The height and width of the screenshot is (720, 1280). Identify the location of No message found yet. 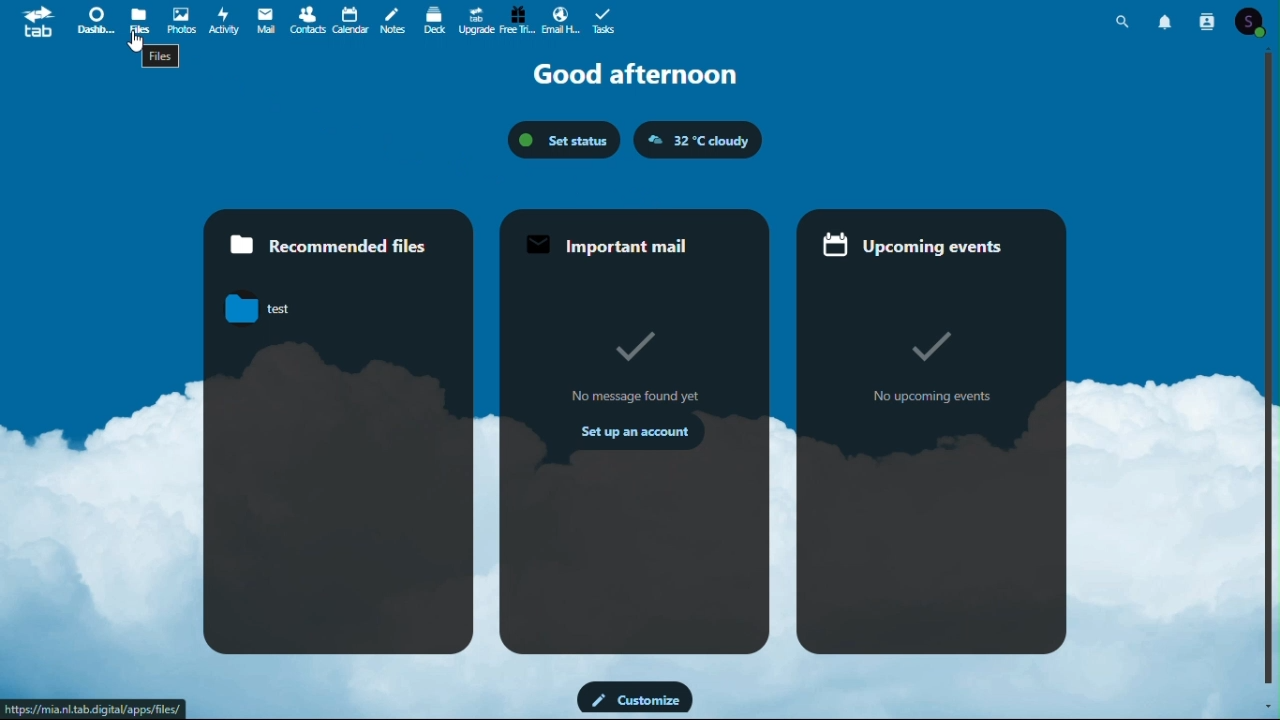
(626, 396).